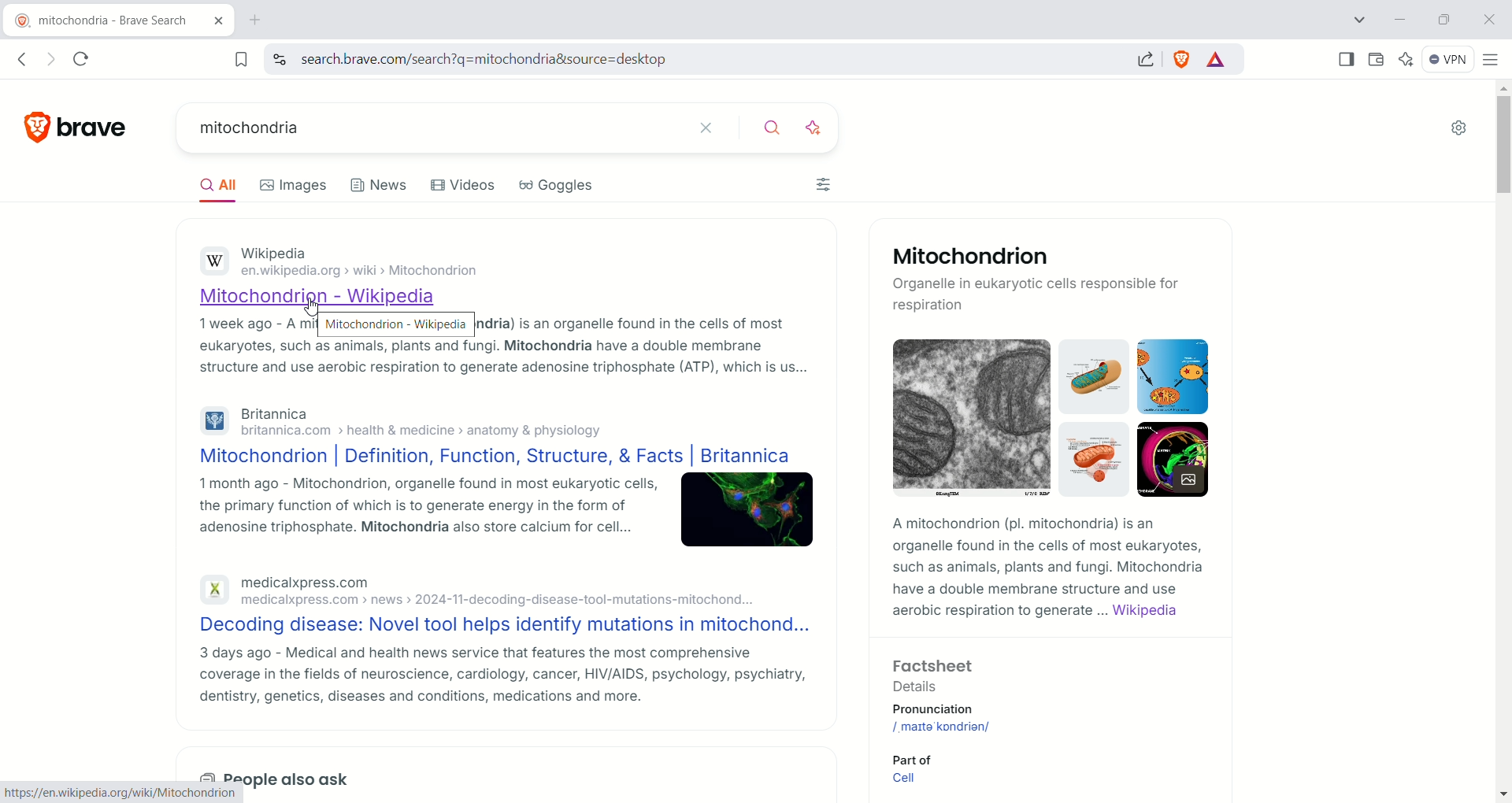 This screenshot has height=803, width=1512. Describe the element at coordinates (1456, 130) in the screenshot. I see `Settings` at that location.